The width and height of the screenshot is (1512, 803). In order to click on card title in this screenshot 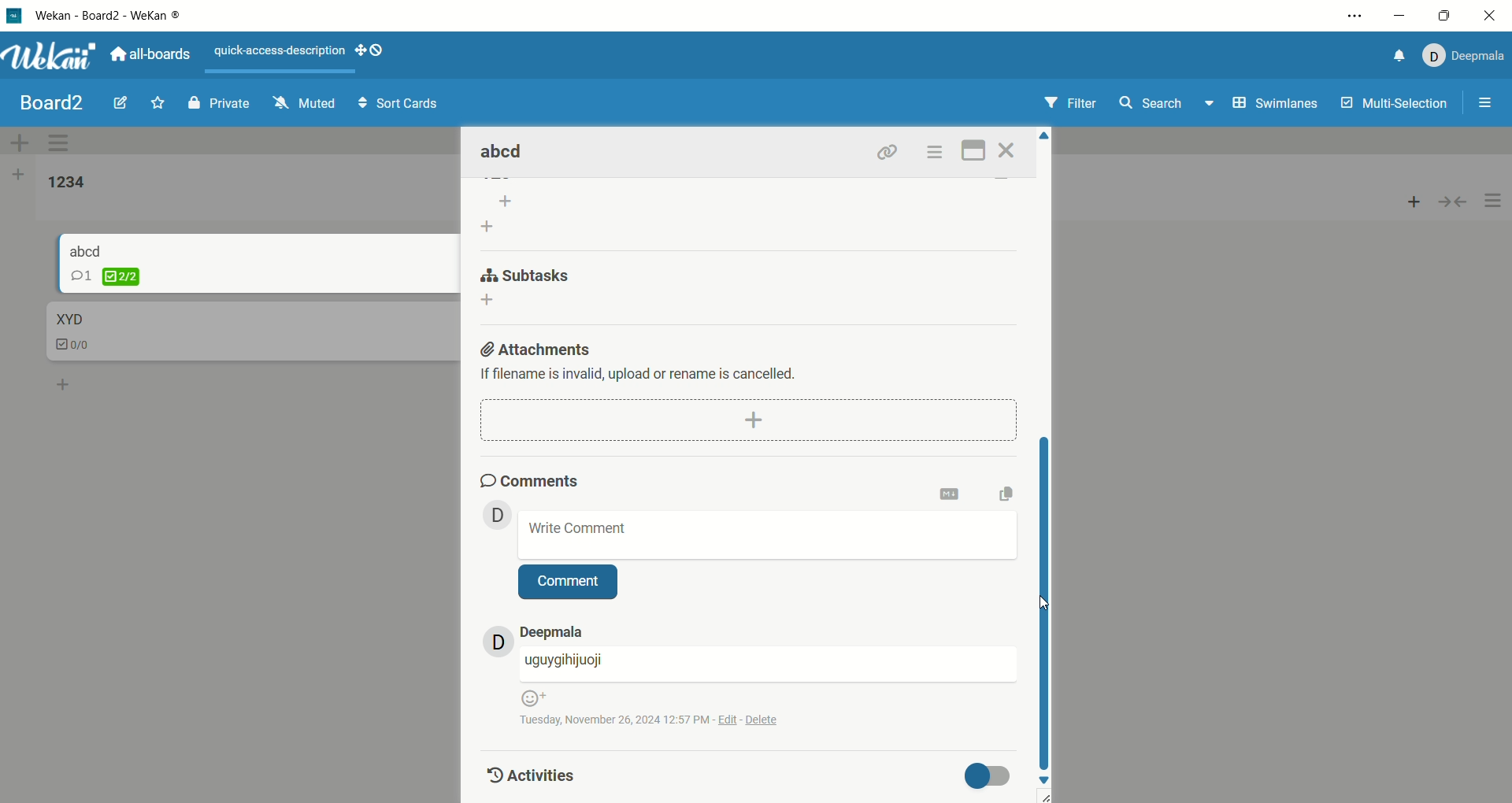, I will do `click(504, 153)`.